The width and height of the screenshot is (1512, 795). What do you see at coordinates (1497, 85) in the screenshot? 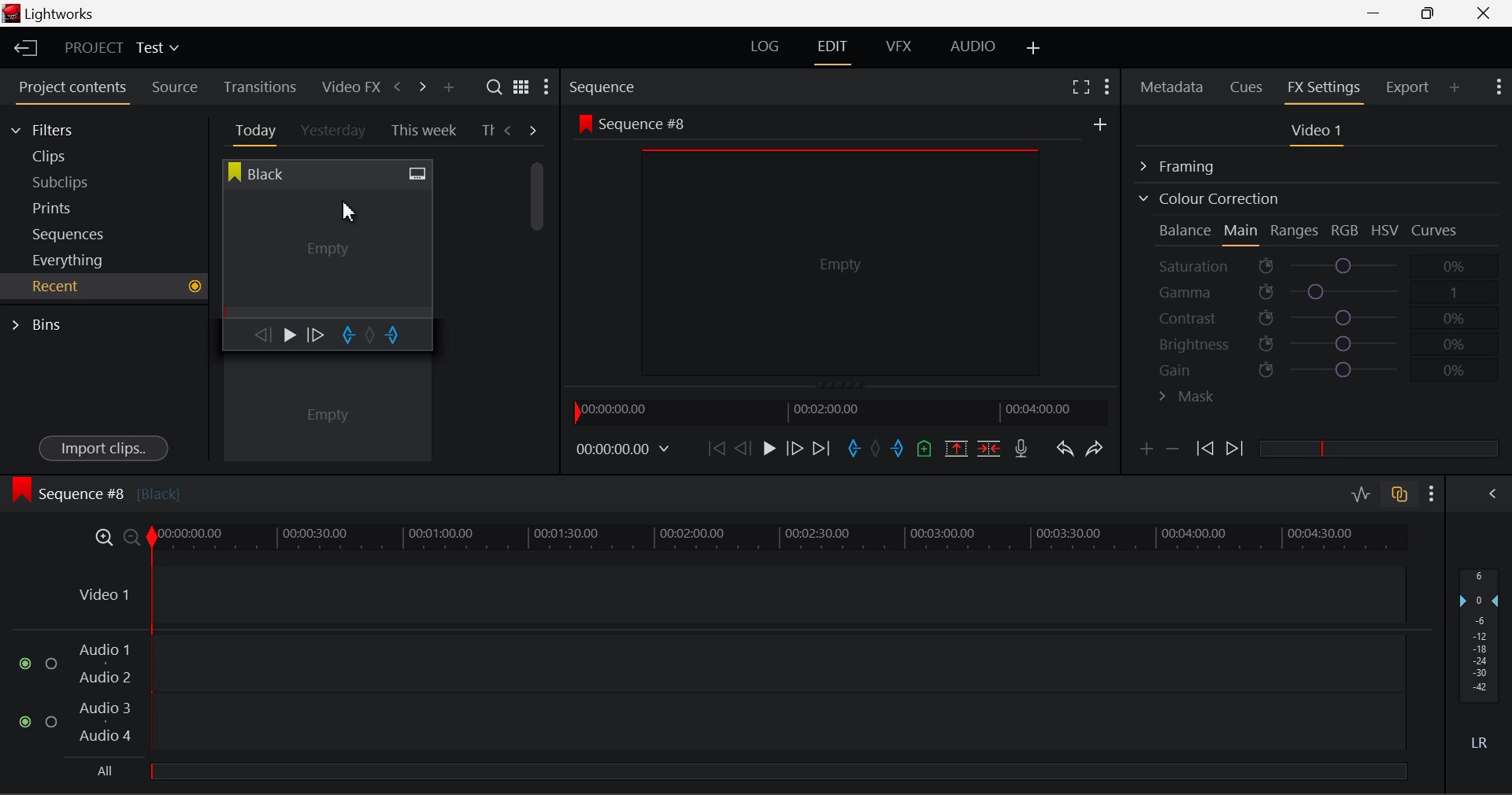
I see `Show Settings` at bounding box center [1497, 85].